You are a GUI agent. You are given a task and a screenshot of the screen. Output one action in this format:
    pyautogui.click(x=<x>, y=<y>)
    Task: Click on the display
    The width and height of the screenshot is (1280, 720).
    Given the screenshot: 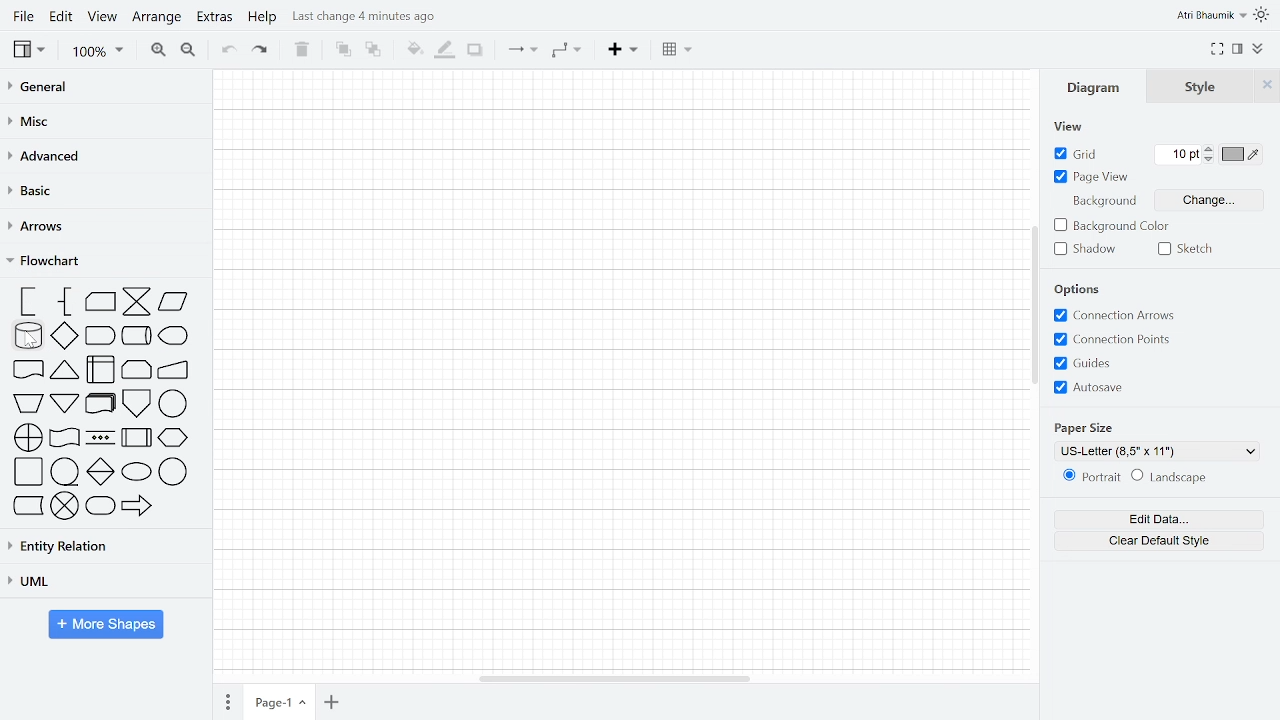 What is the action you would take?
    pyautogui.click(x=173, y=337)
    